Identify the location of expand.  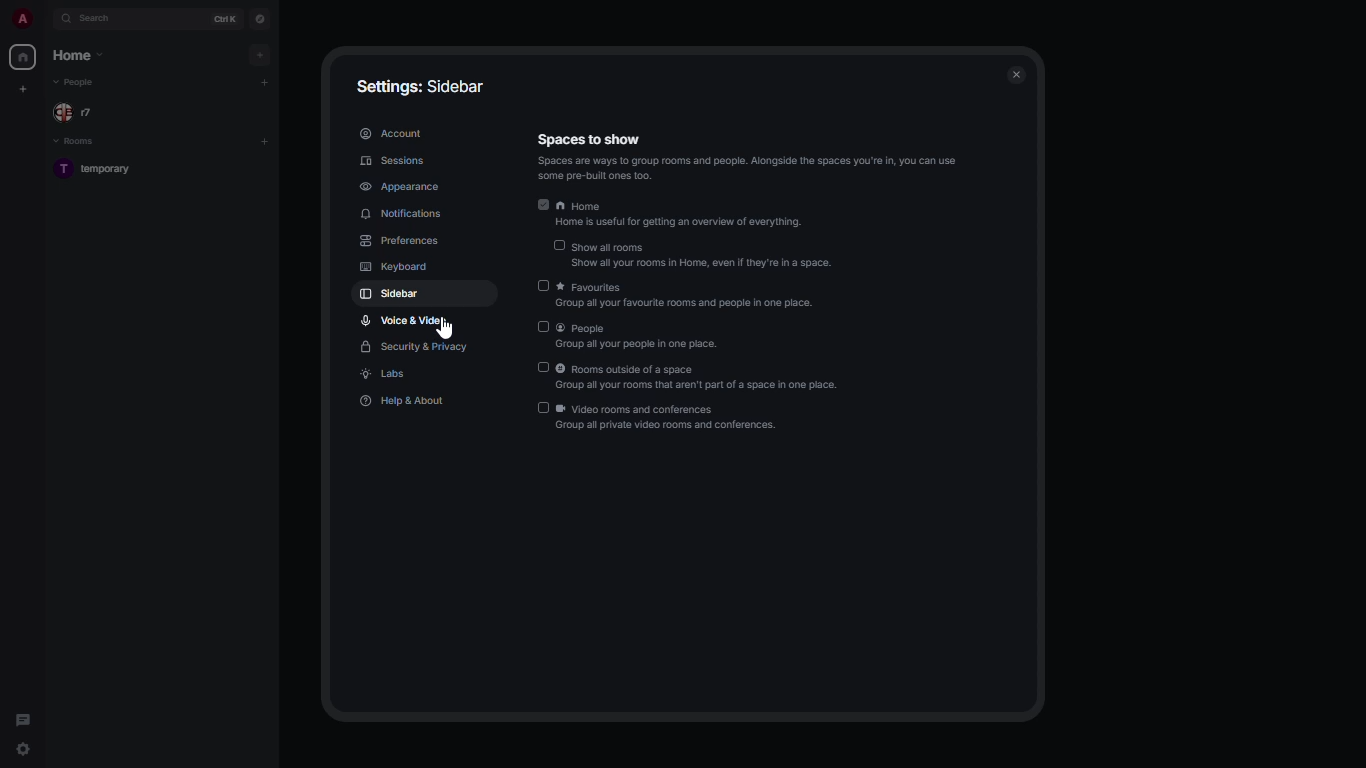
(45, 18).